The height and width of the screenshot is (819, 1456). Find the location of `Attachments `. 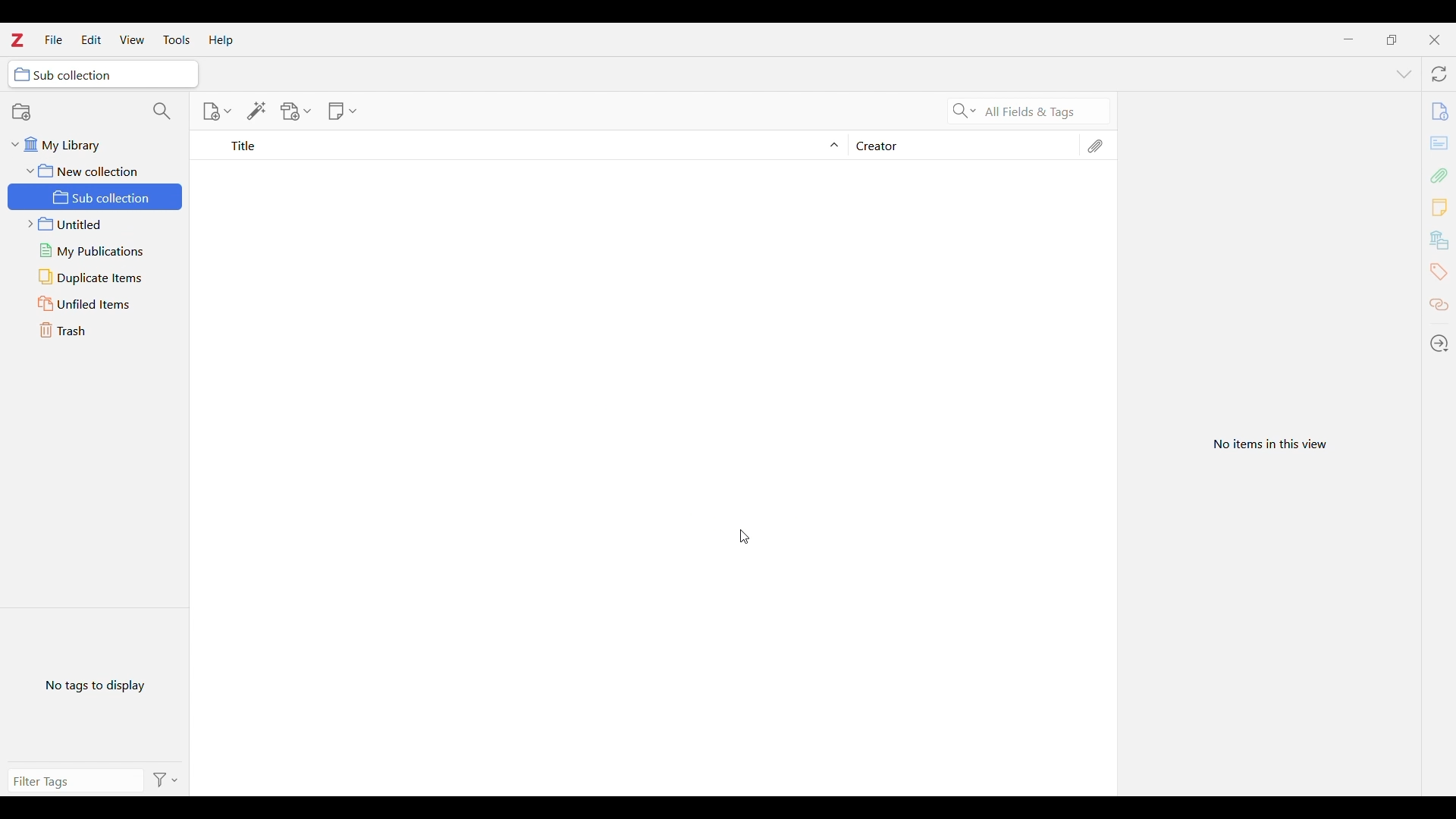

Attachments  is located at coordinates (1094, 146).